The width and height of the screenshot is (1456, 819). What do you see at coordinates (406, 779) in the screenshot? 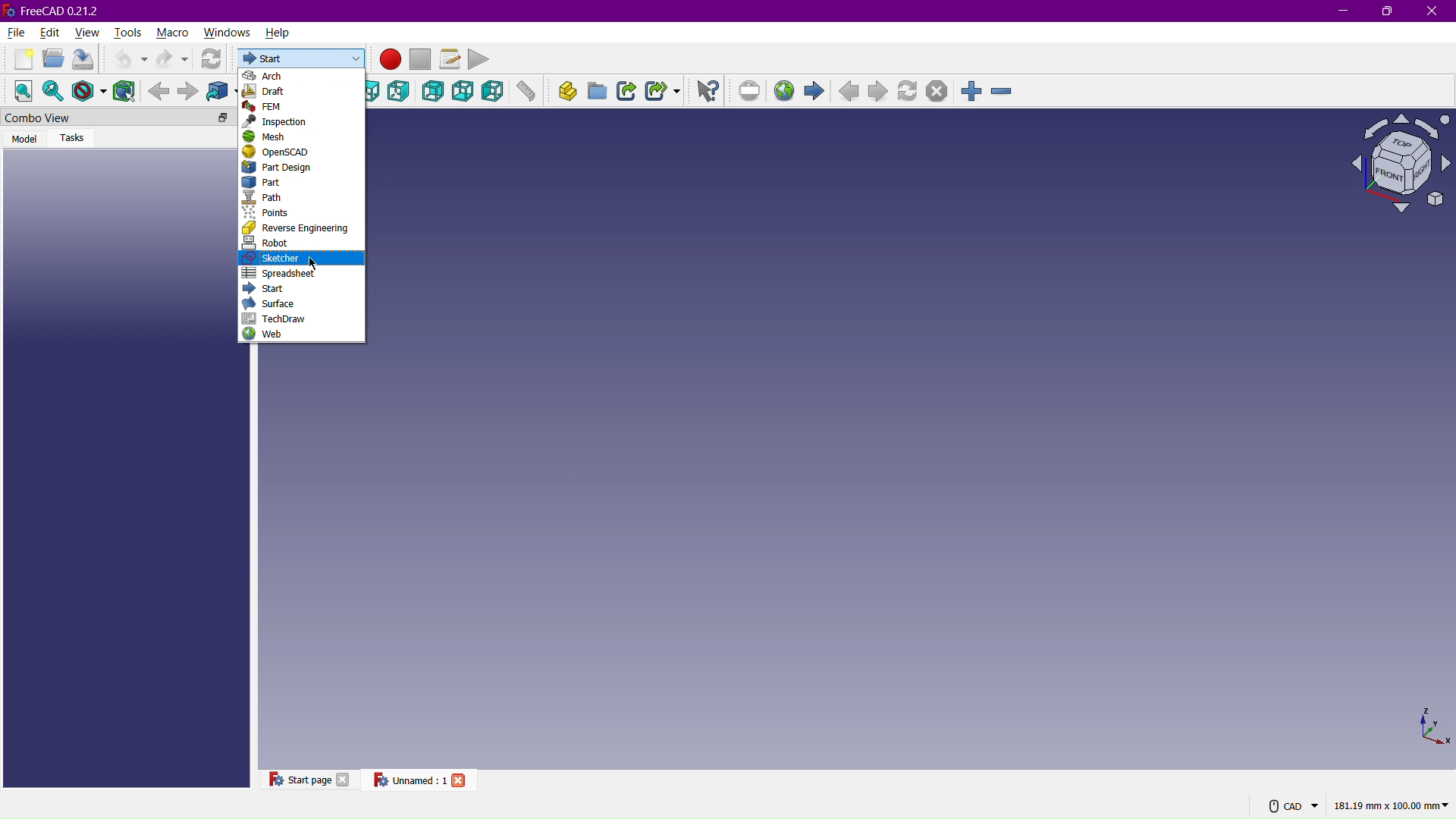
I see `Unnamed : 1` at bounding box center [406, 779].